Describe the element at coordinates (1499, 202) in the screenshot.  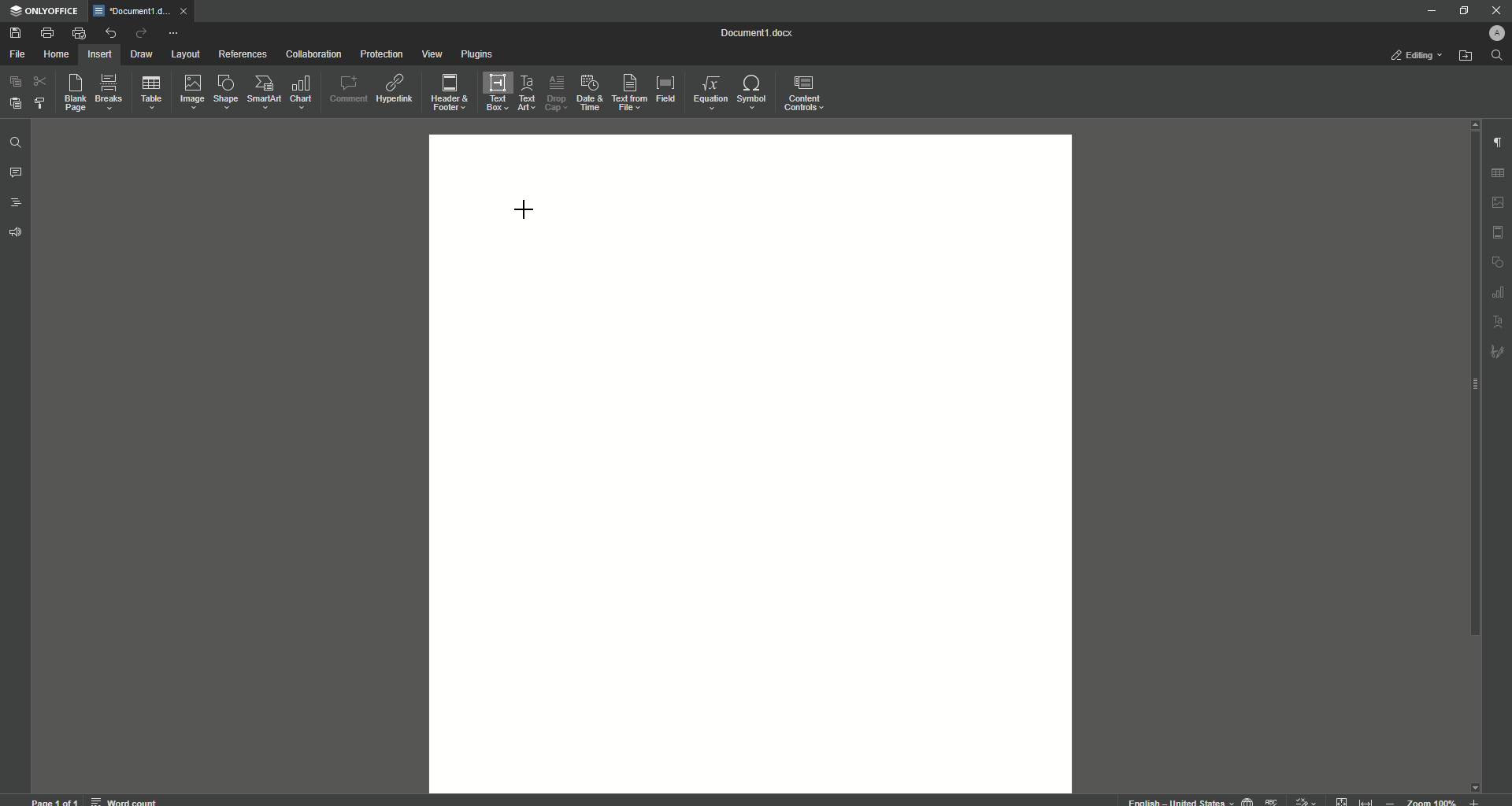
I see `image` at that location.